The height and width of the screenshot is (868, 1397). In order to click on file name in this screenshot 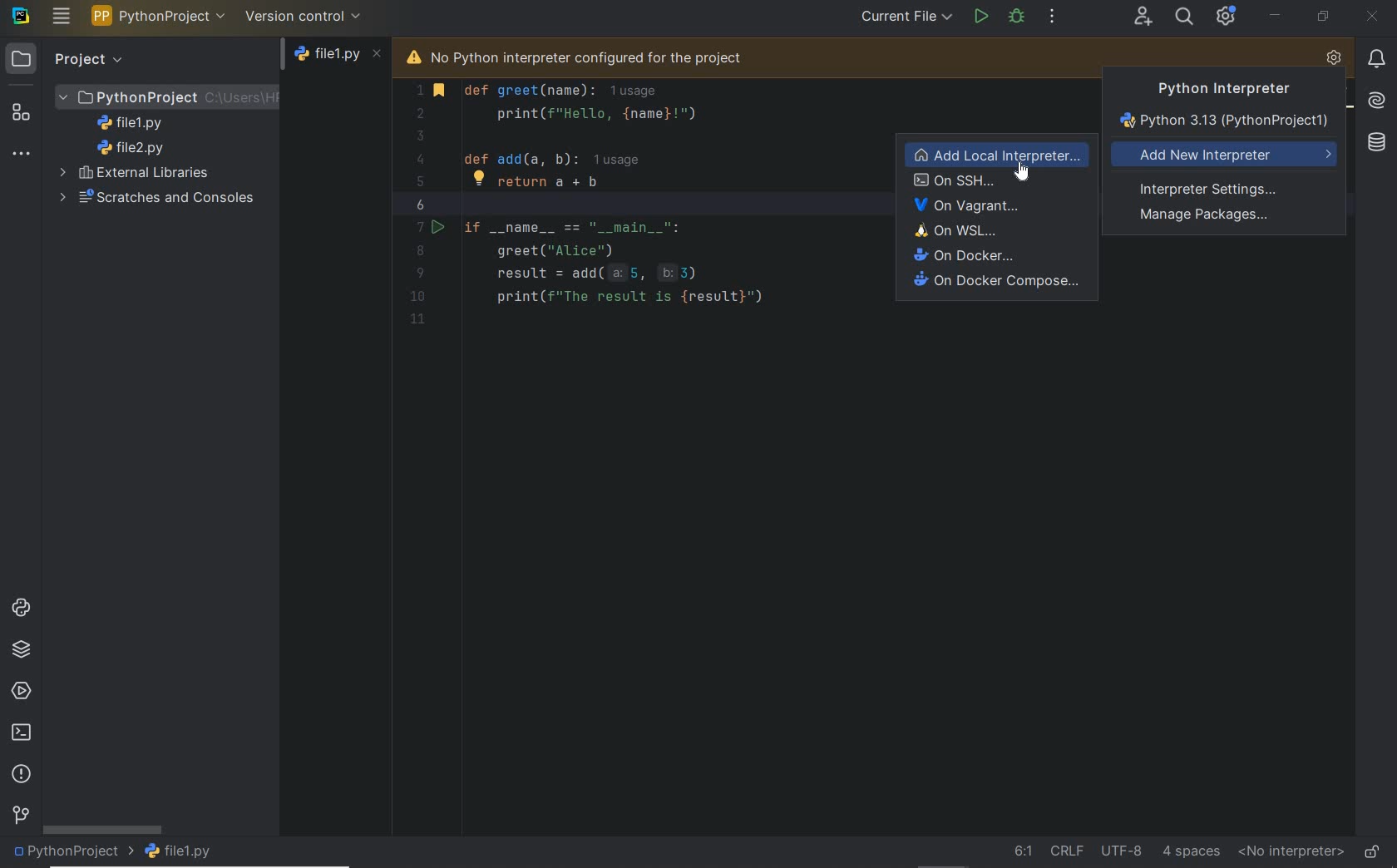, I will do `click(182, 851)`.